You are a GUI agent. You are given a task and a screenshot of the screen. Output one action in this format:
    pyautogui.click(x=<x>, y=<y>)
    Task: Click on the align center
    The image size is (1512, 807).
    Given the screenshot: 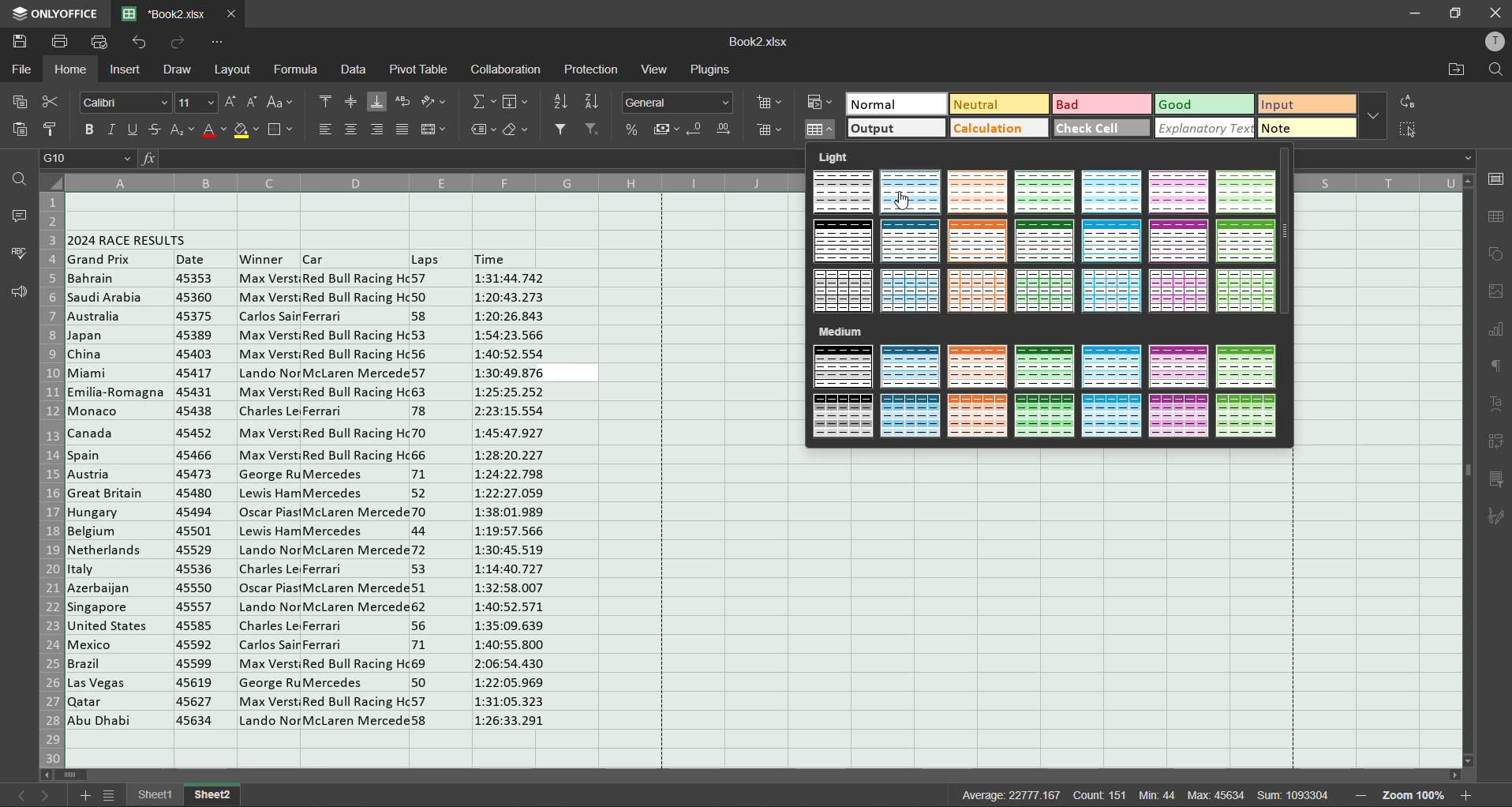 What is the action you would take?
    pyautogui.click(x=350, y=129)
    